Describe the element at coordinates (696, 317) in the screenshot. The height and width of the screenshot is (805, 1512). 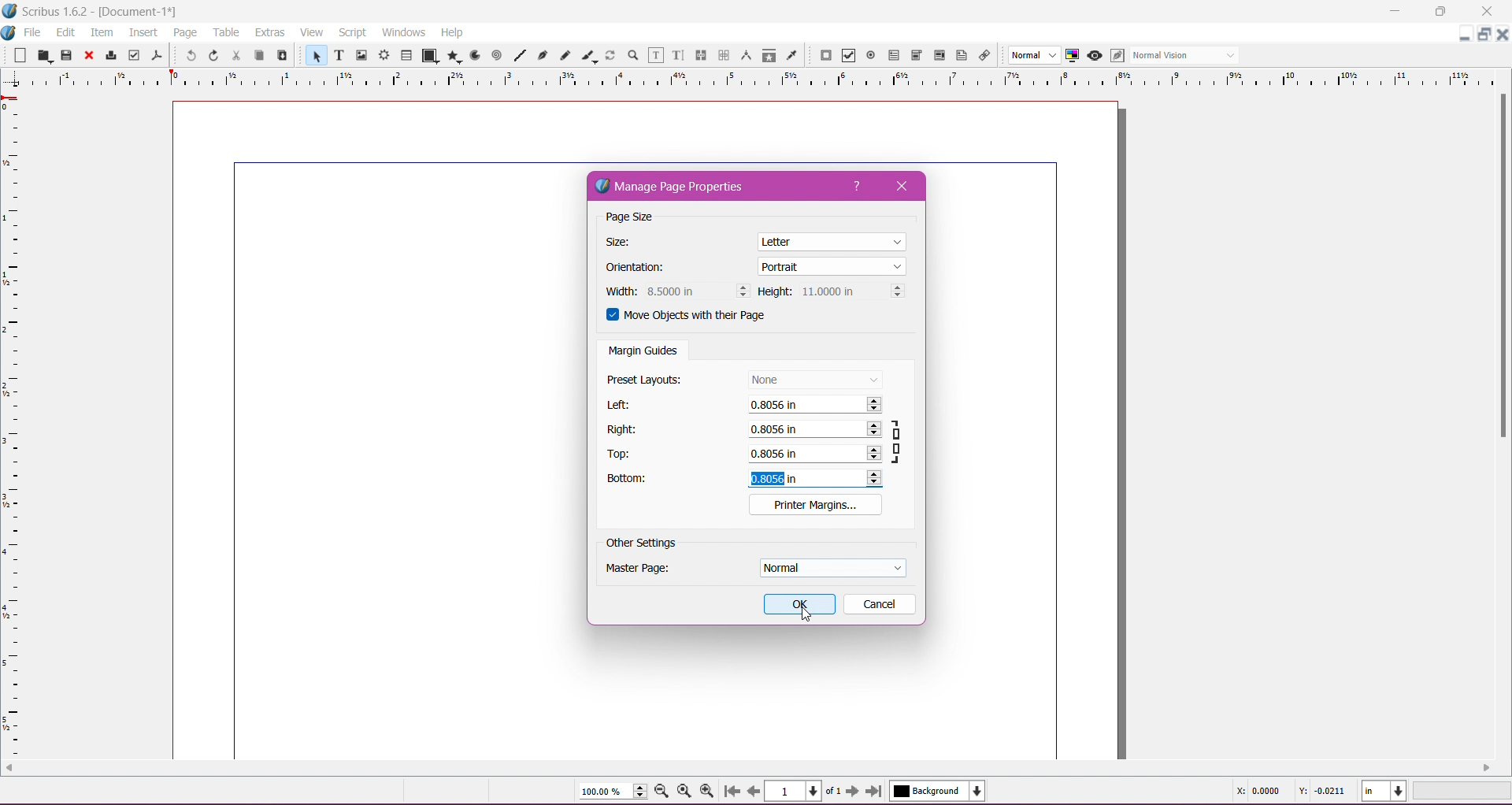
I see `Move objects with their Page  - enable/disable` at that location.